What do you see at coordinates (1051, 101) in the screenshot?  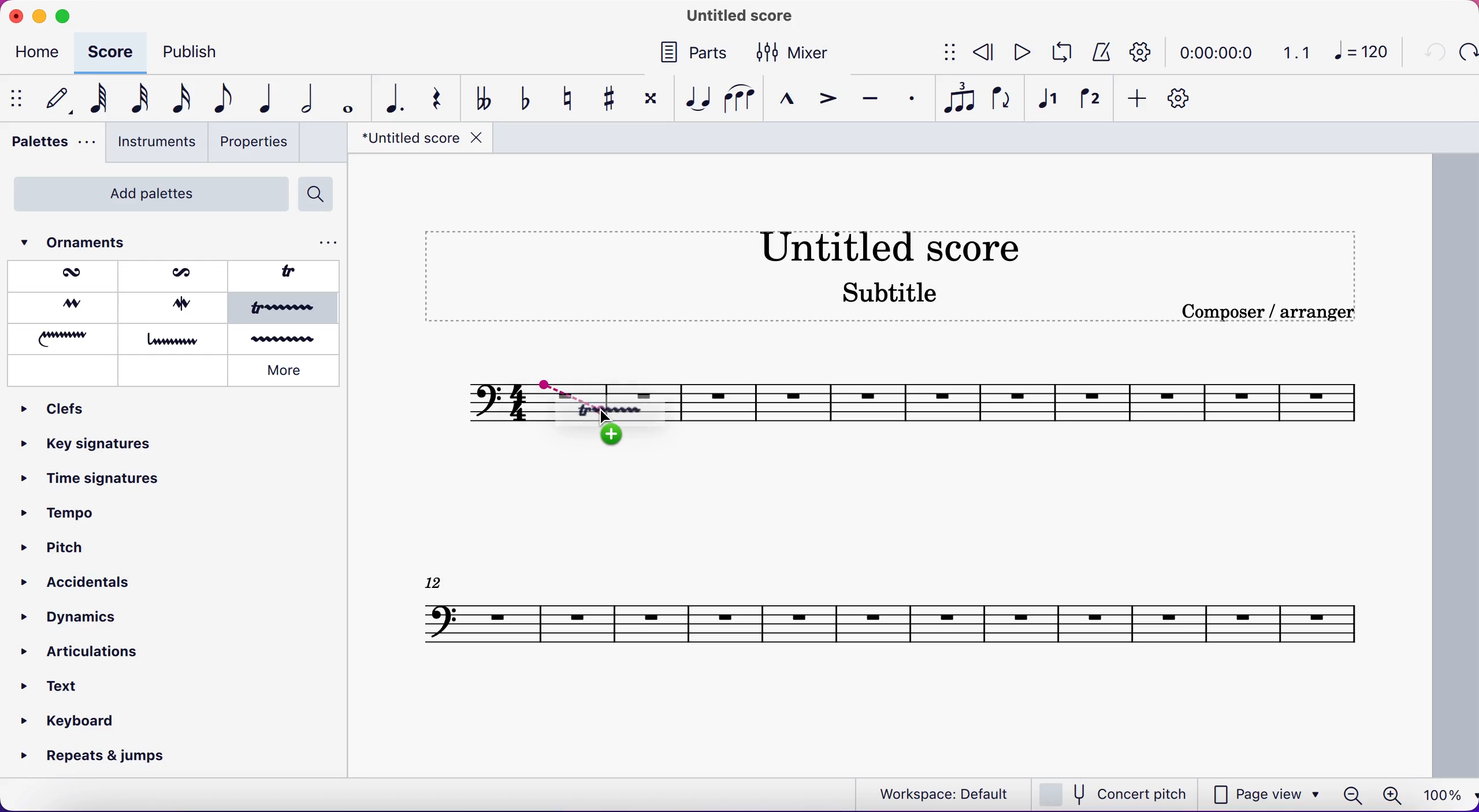 I see `voice 1` at bounding box center [1051, 101].